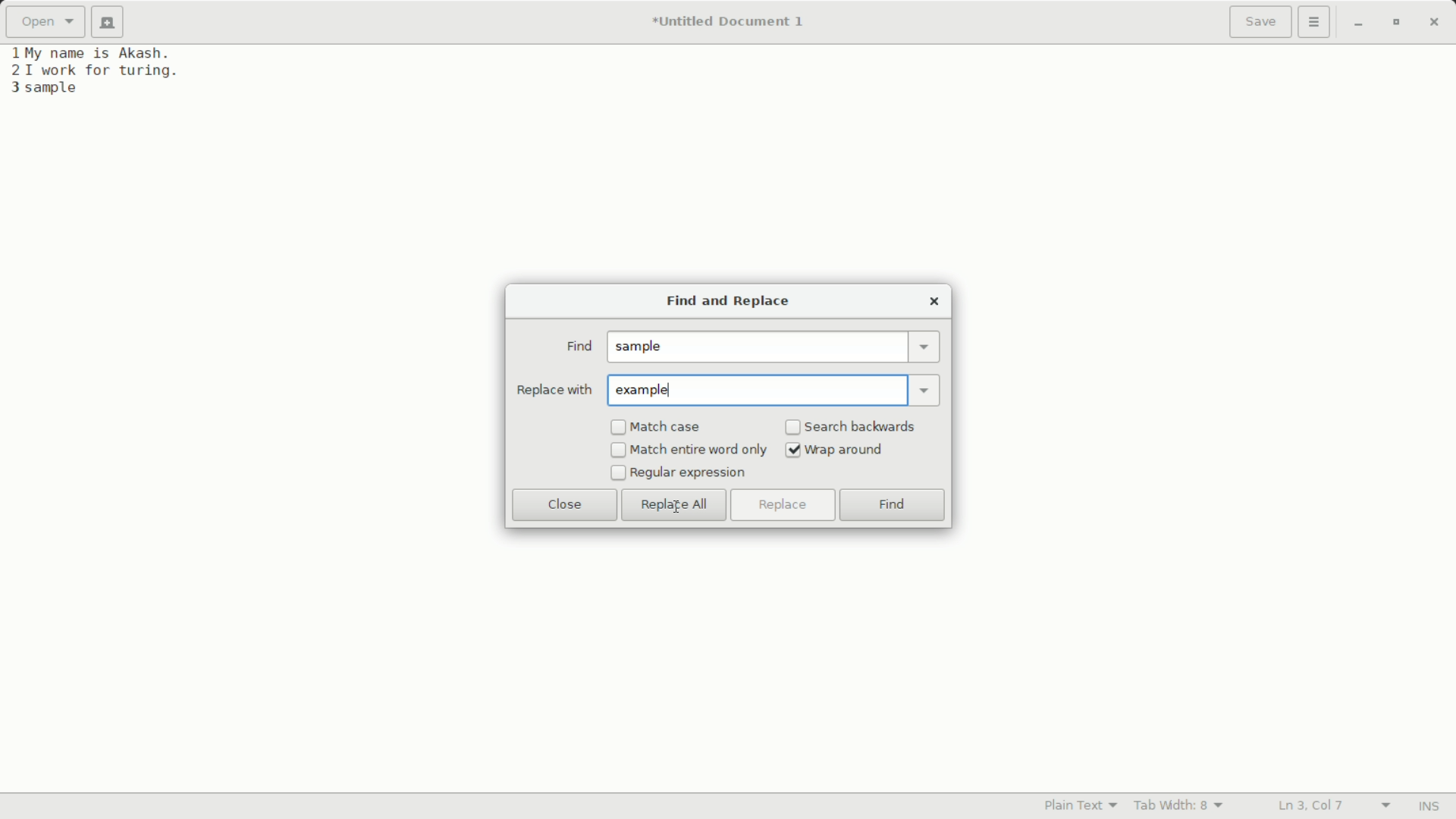 The height and width of the screenshot is (819, 1456). Describe the element at coordinates (618, 428) in the screenshot. I see `checkbox` at that location.